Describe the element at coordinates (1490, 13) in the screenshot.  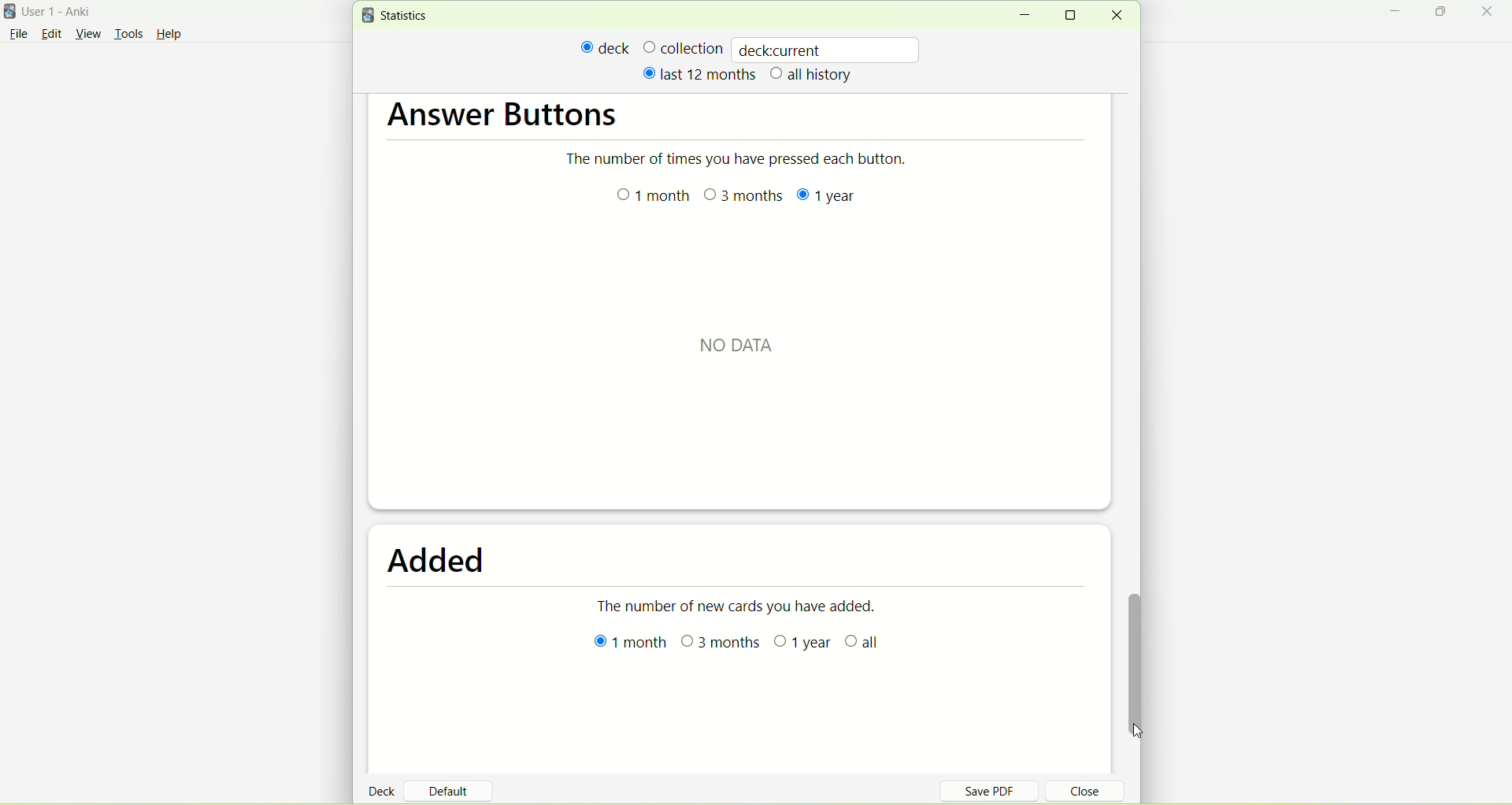
I see `close` at that location.